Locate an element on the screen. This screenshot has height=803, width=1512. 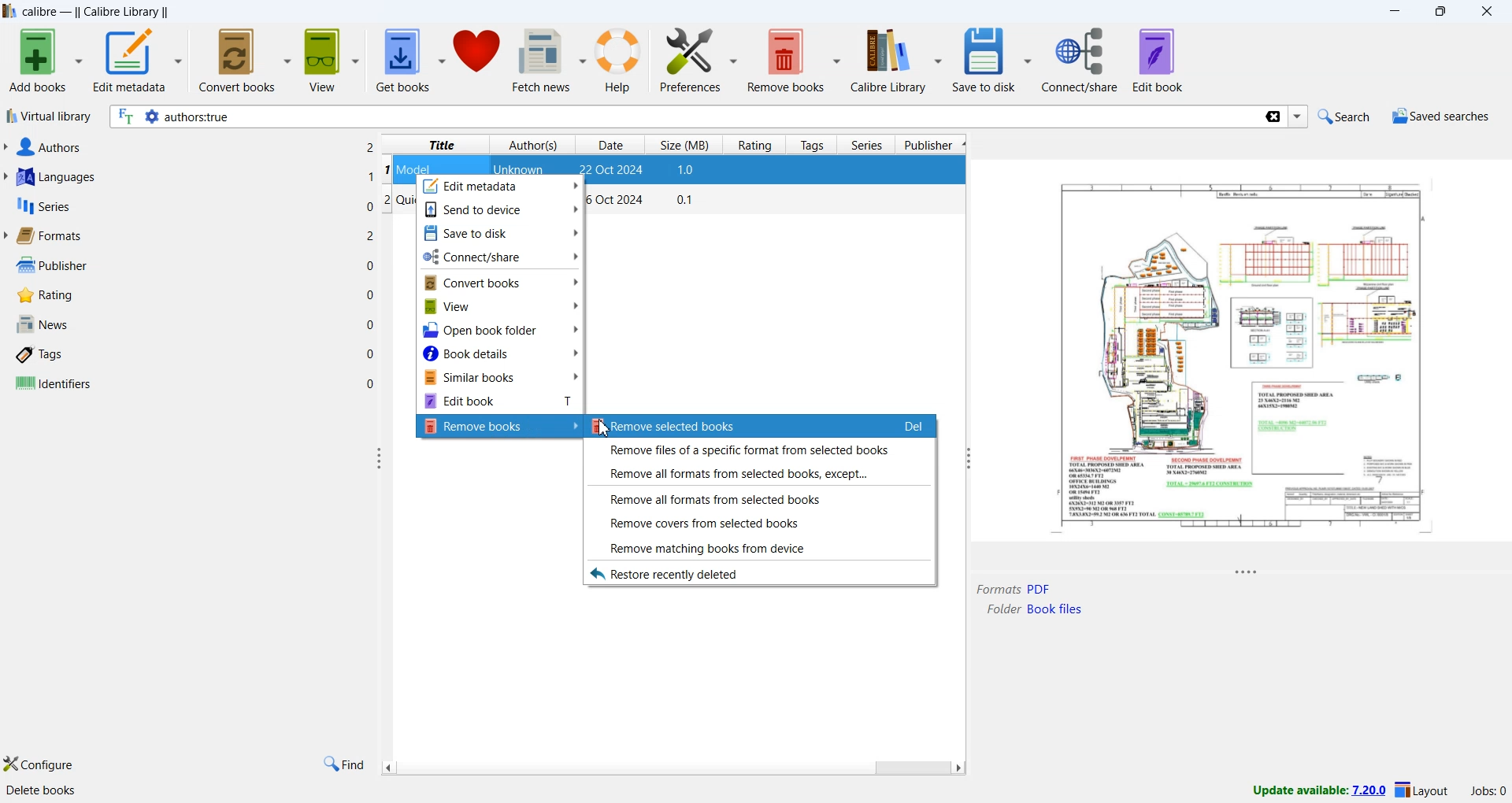
formats is located at coordinates (48, 236).